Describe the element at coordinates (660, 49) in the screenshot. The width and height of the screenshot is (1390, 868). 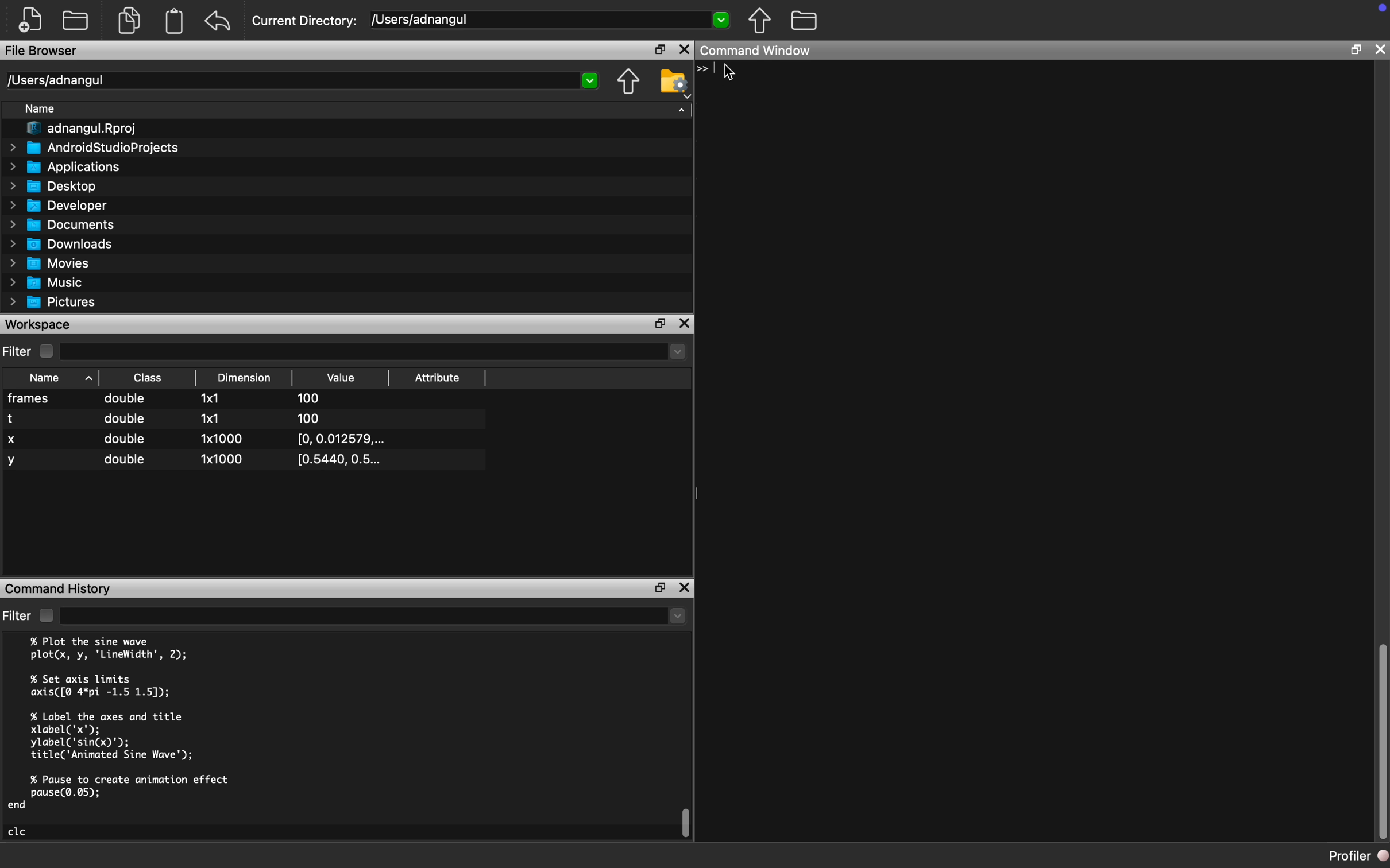
I see `Restore Down` at that location.